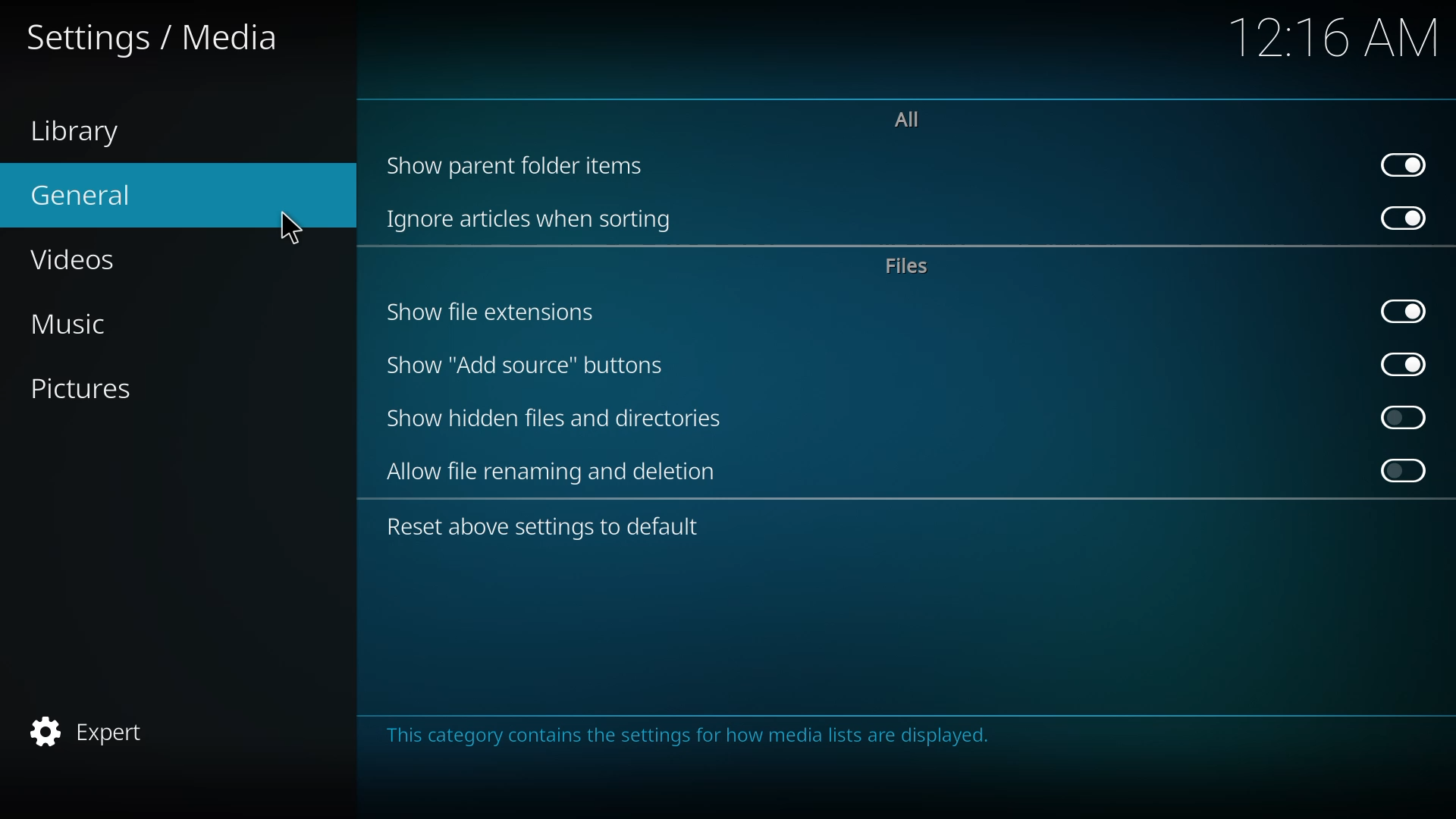 The width and height of the screenshot is (1456, 819). Describe the element at coordinates (93, 729) in the screenshot. I see `expert` at that location.